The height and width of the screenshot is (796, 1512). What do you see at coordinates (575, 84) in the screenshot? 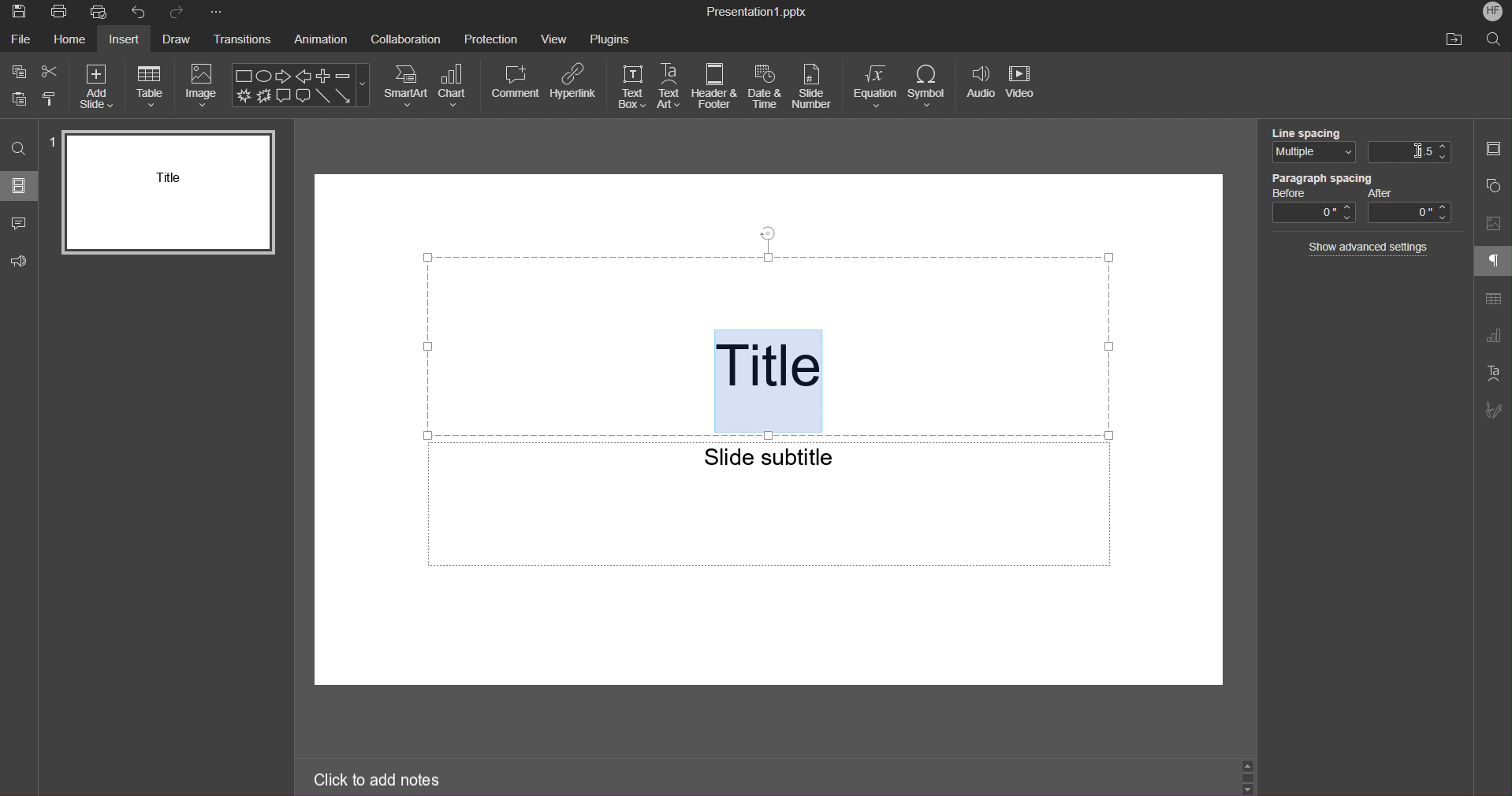
I see `Hyperlink` at bounding box center [575, 84].